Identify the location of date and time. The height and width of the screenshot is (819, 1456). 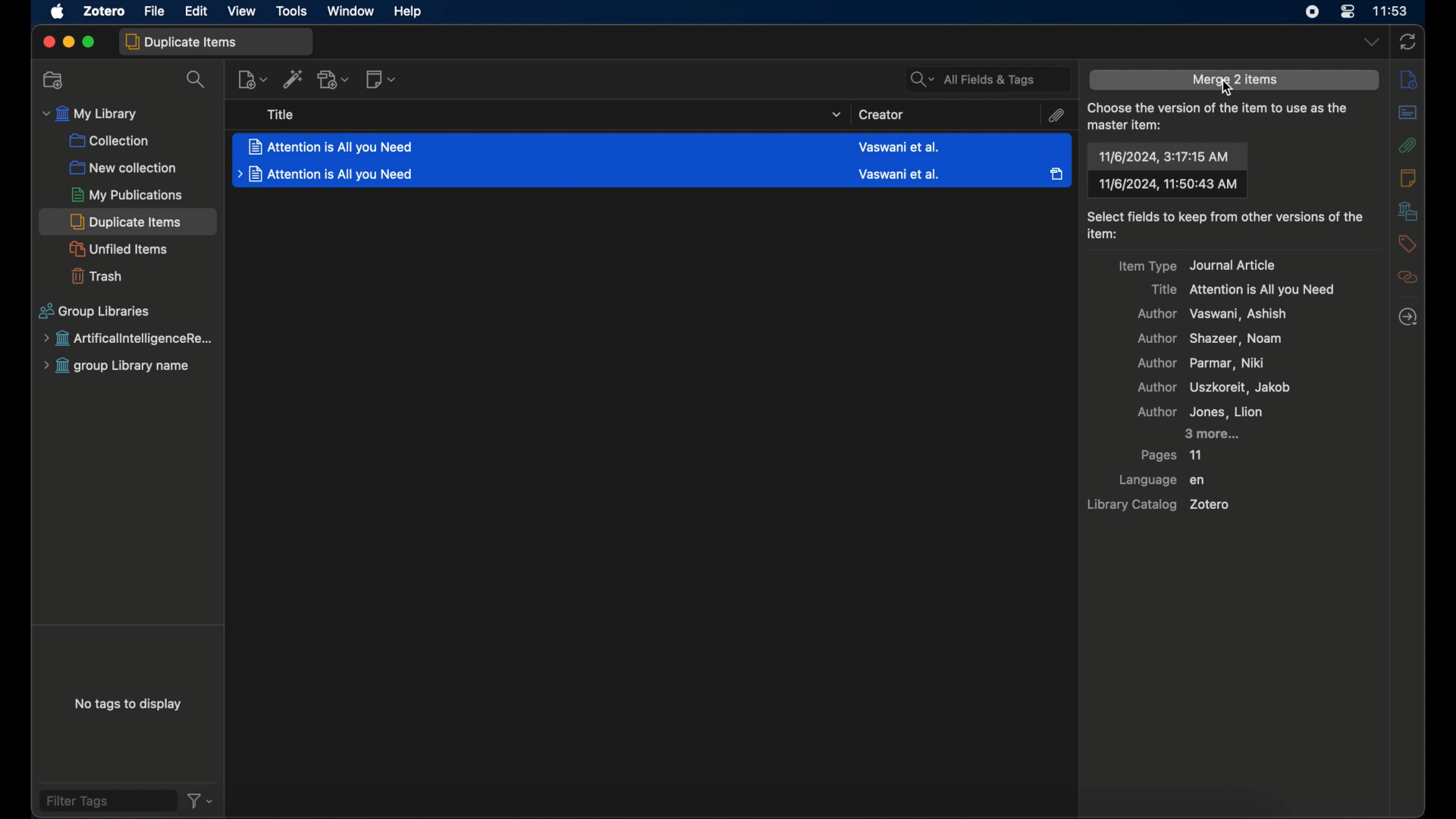
(1164, 157).